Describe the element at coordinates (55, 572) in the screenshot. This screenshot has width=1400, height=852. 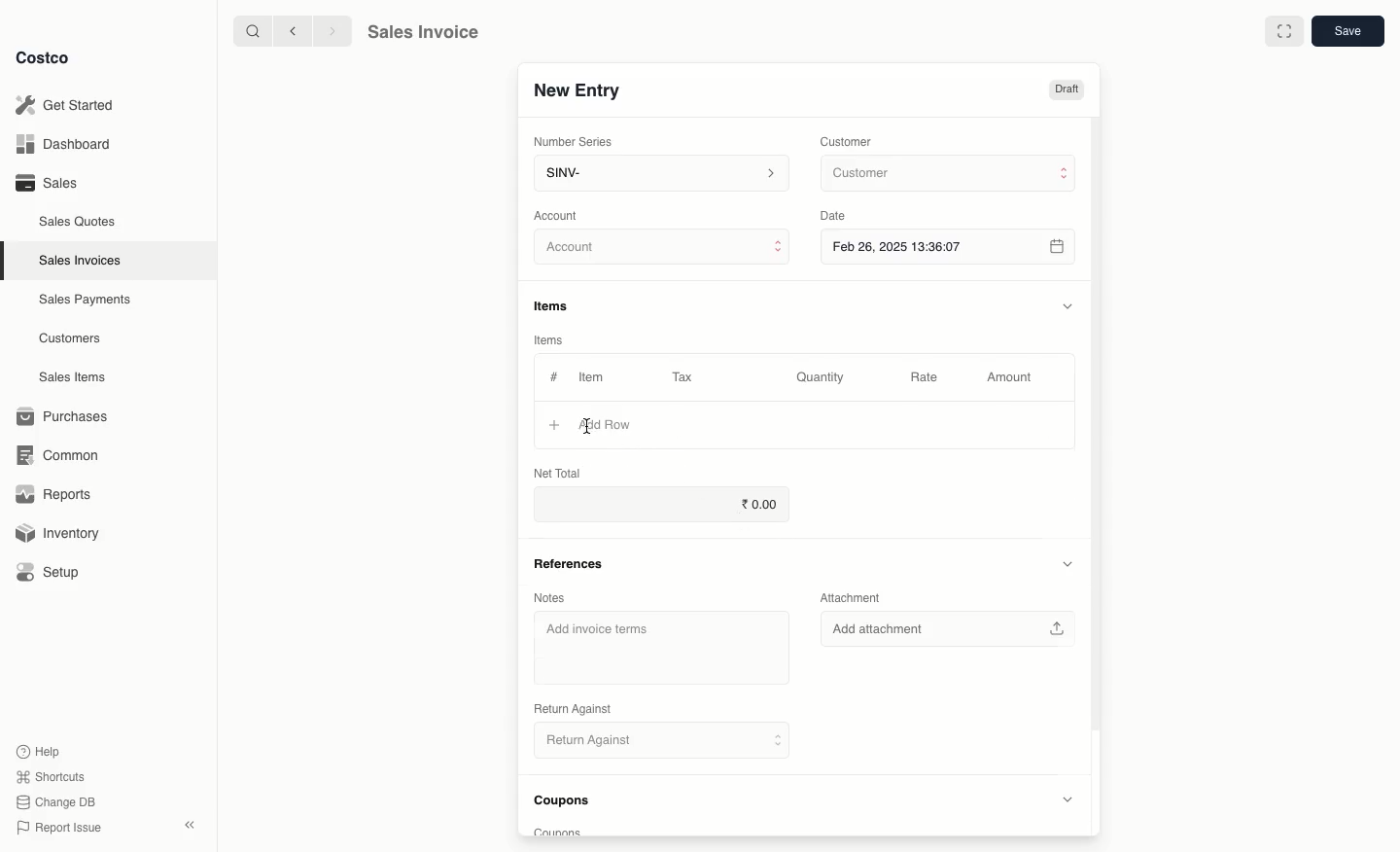
I see `Setup` at that location.